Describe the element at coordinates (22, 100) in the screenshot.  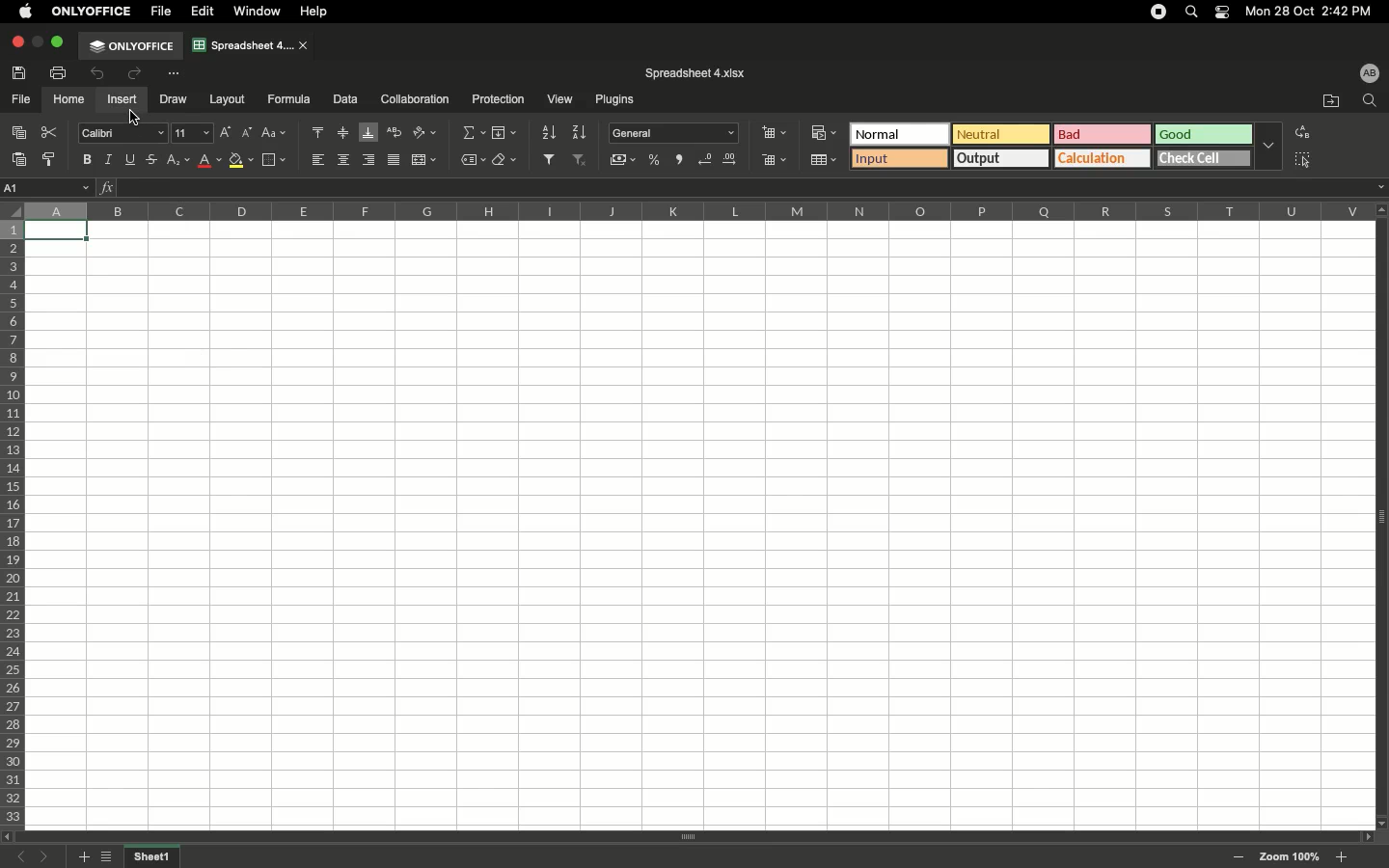
I see `File` at that location.